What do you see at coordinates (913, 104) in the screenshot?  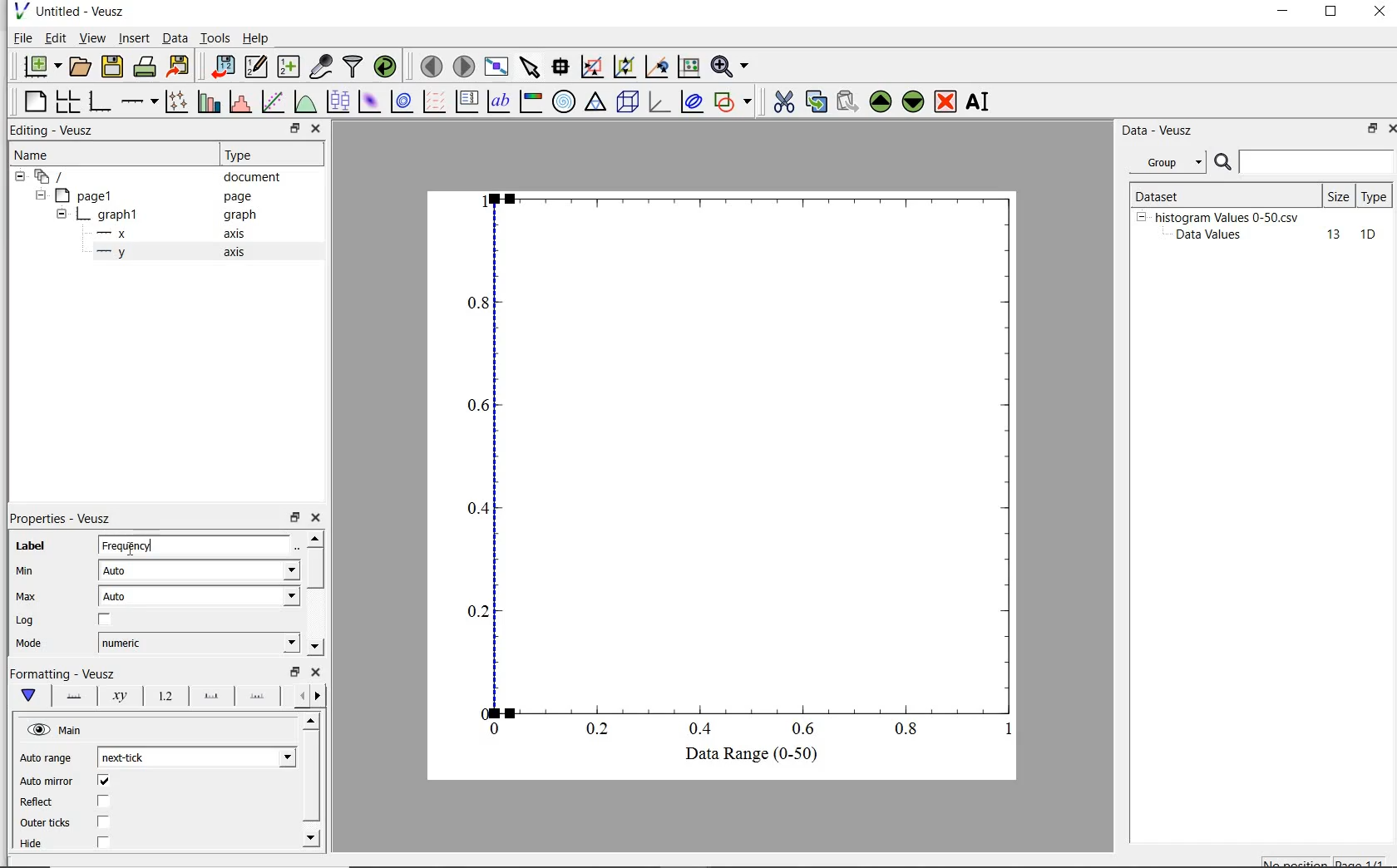 I see `move down the selected widget` at bounding box center [913, 104].